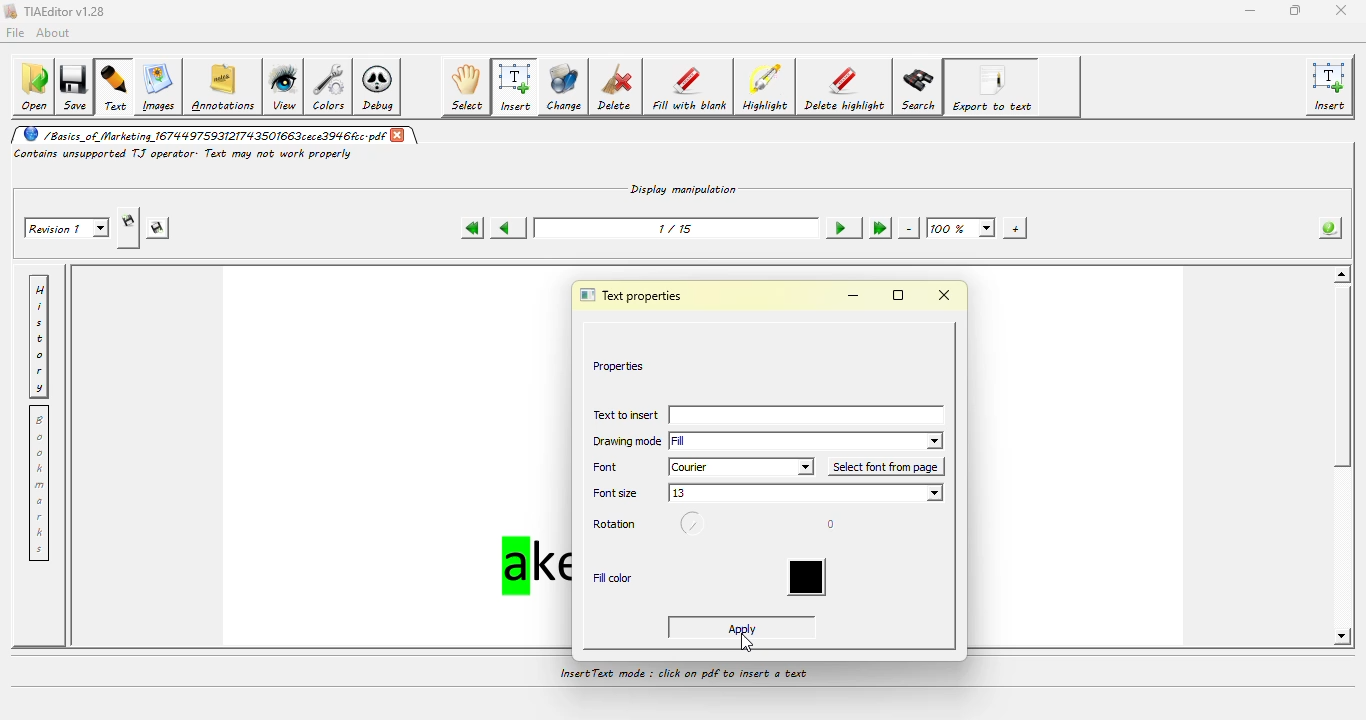 The height and width of the screenshot is (720, 1366). I want to click on TIAEditor v1.28, so click(56, 12).